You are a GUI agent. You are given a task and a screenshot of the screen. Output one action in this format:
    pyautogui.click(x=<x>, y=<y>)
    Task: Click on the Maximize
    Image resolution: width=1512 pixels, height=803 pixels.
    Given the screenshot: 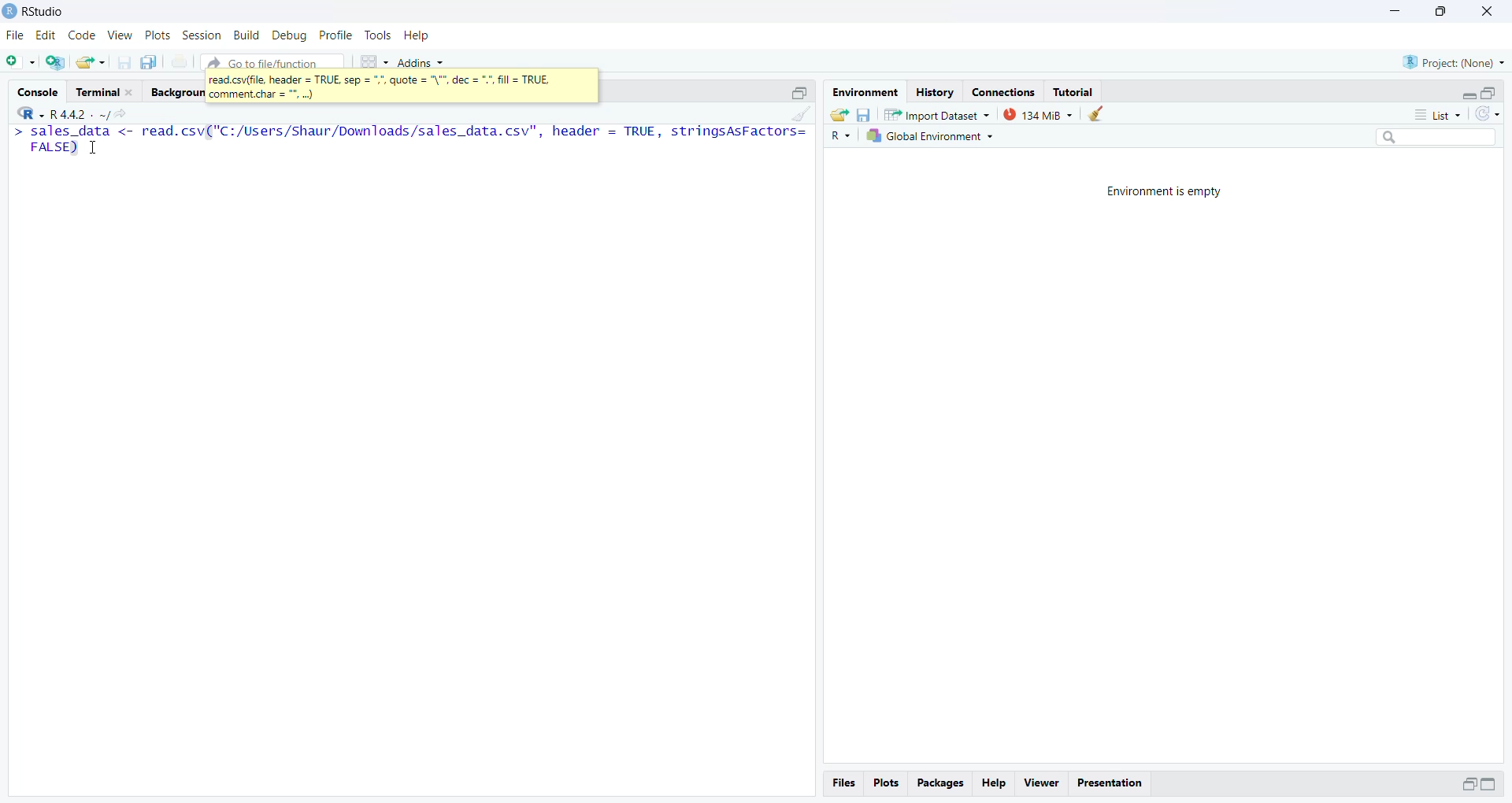 What is the action you would take?
    pyautogui.click(x=1488, y=785)
    